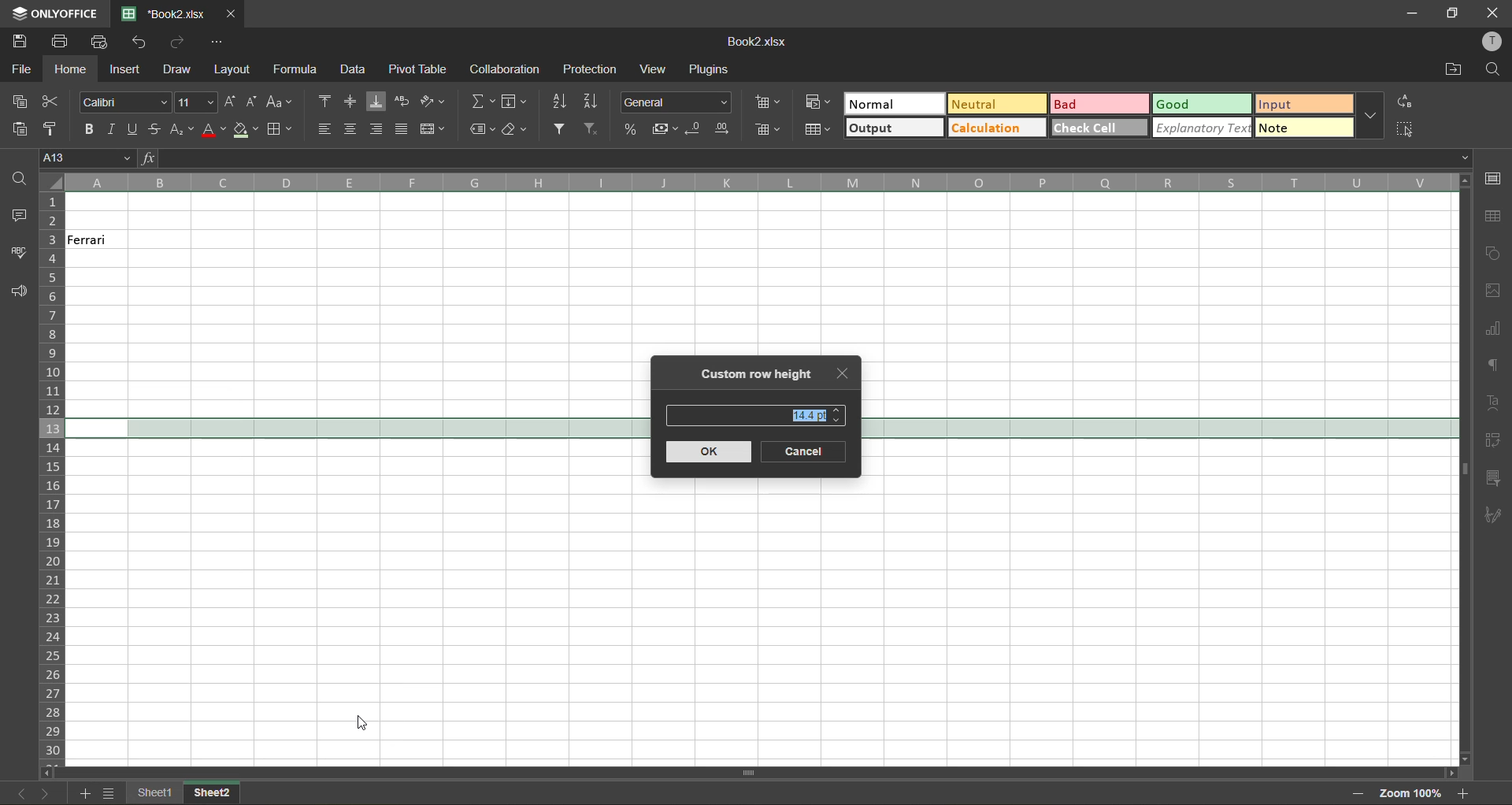 The width and height of the screenshot is (1512, 805). What do you see at coordinates (182, 128) in the screenshot?
I see `sub/superscript` at bounding box center [182, 128].